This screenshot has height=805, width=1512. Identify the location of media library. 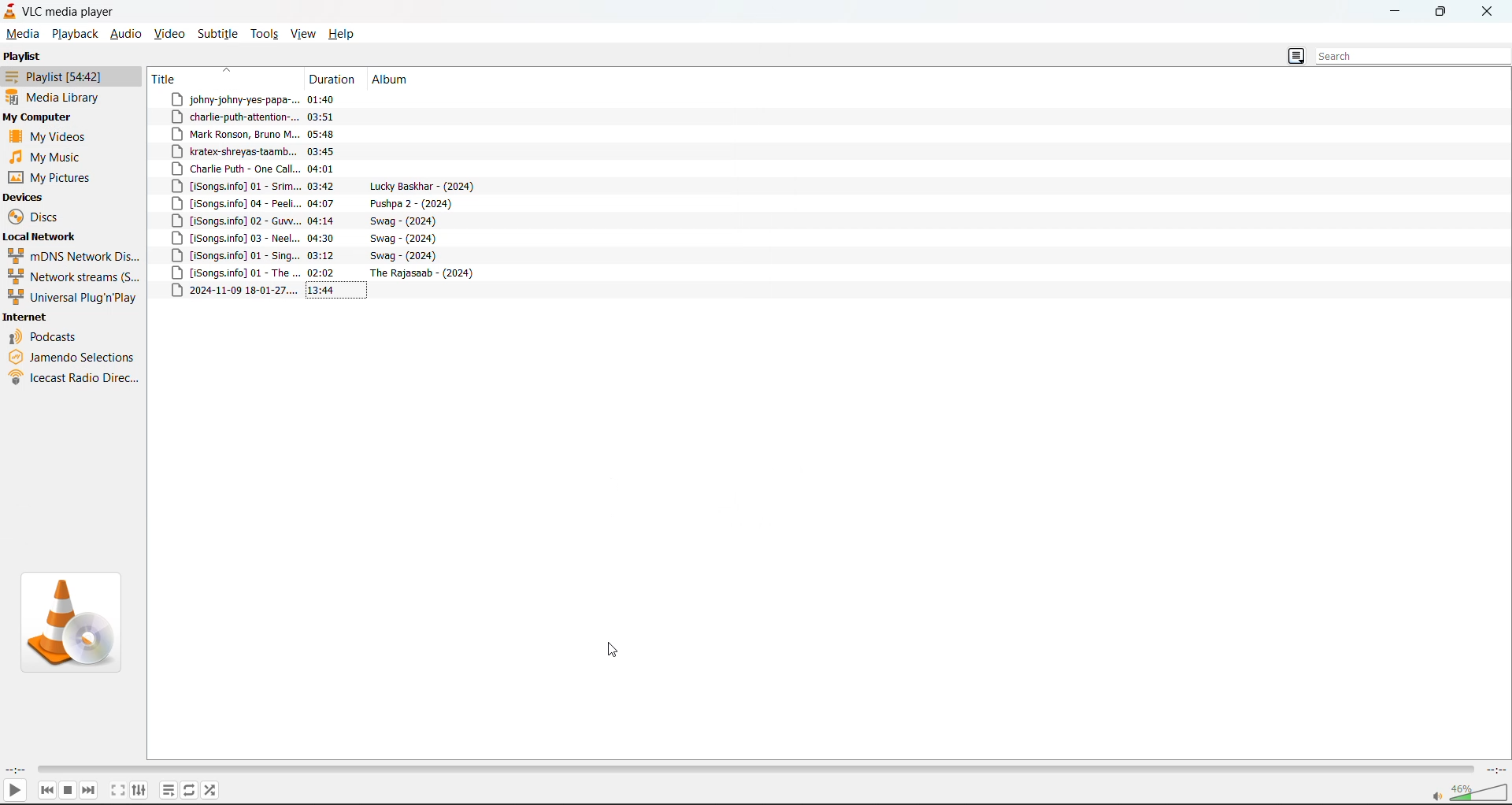
(55, 99).